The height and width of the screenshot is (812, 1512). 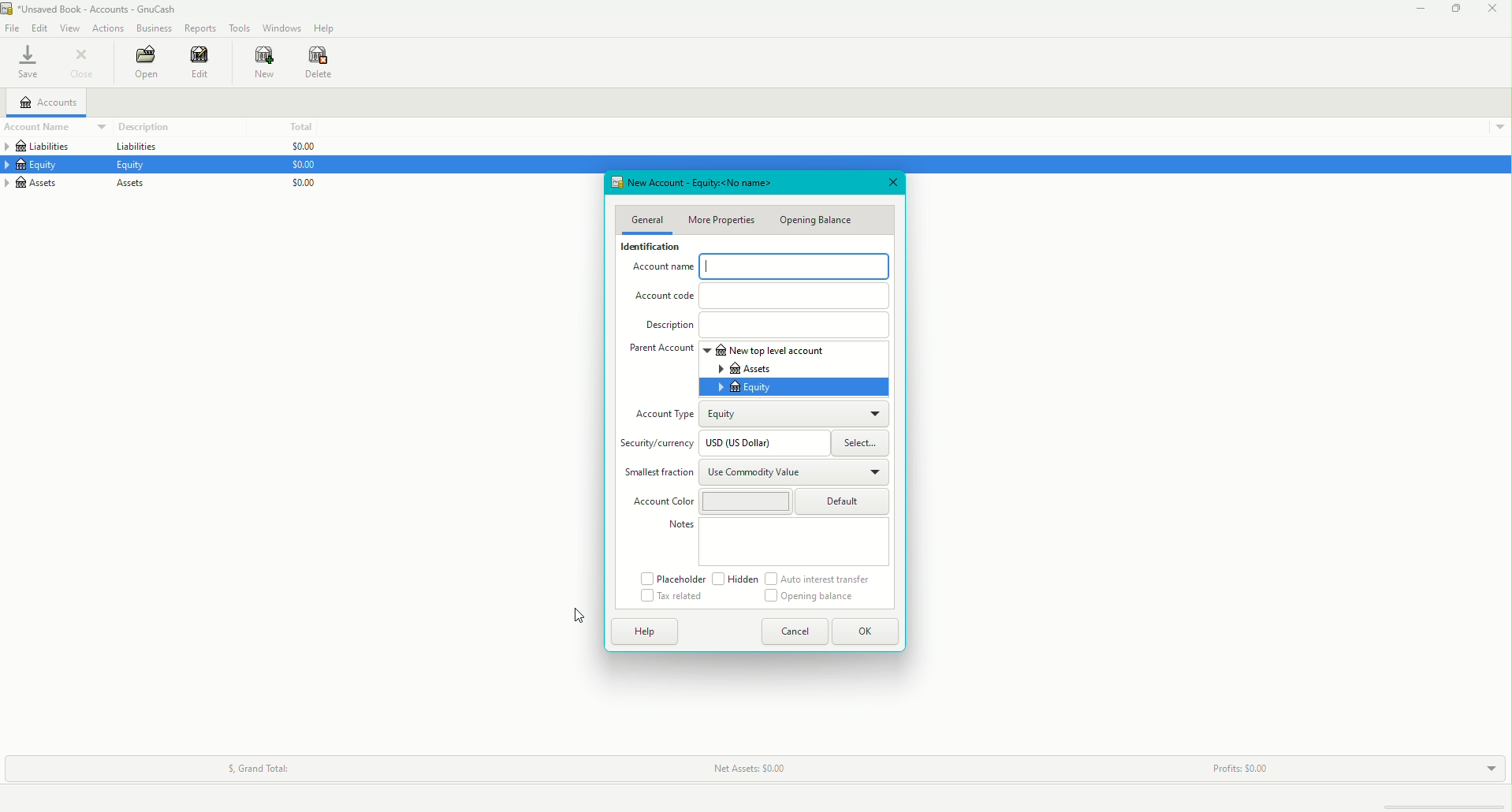 I want to click on Restore, so click(x=1455, y=12).